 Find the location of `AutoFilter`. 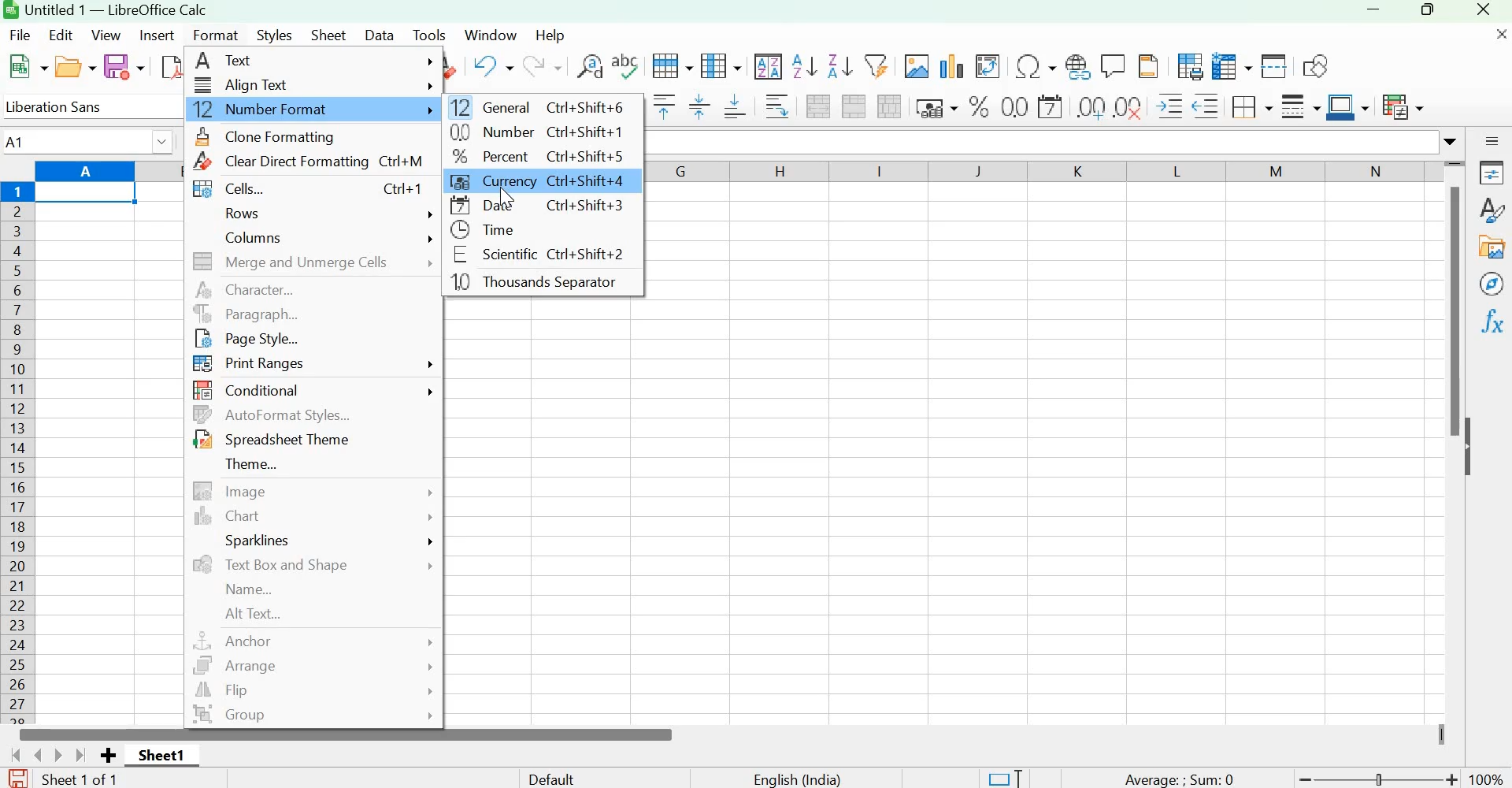

AutoFilter is located at coordinates (875, 64).